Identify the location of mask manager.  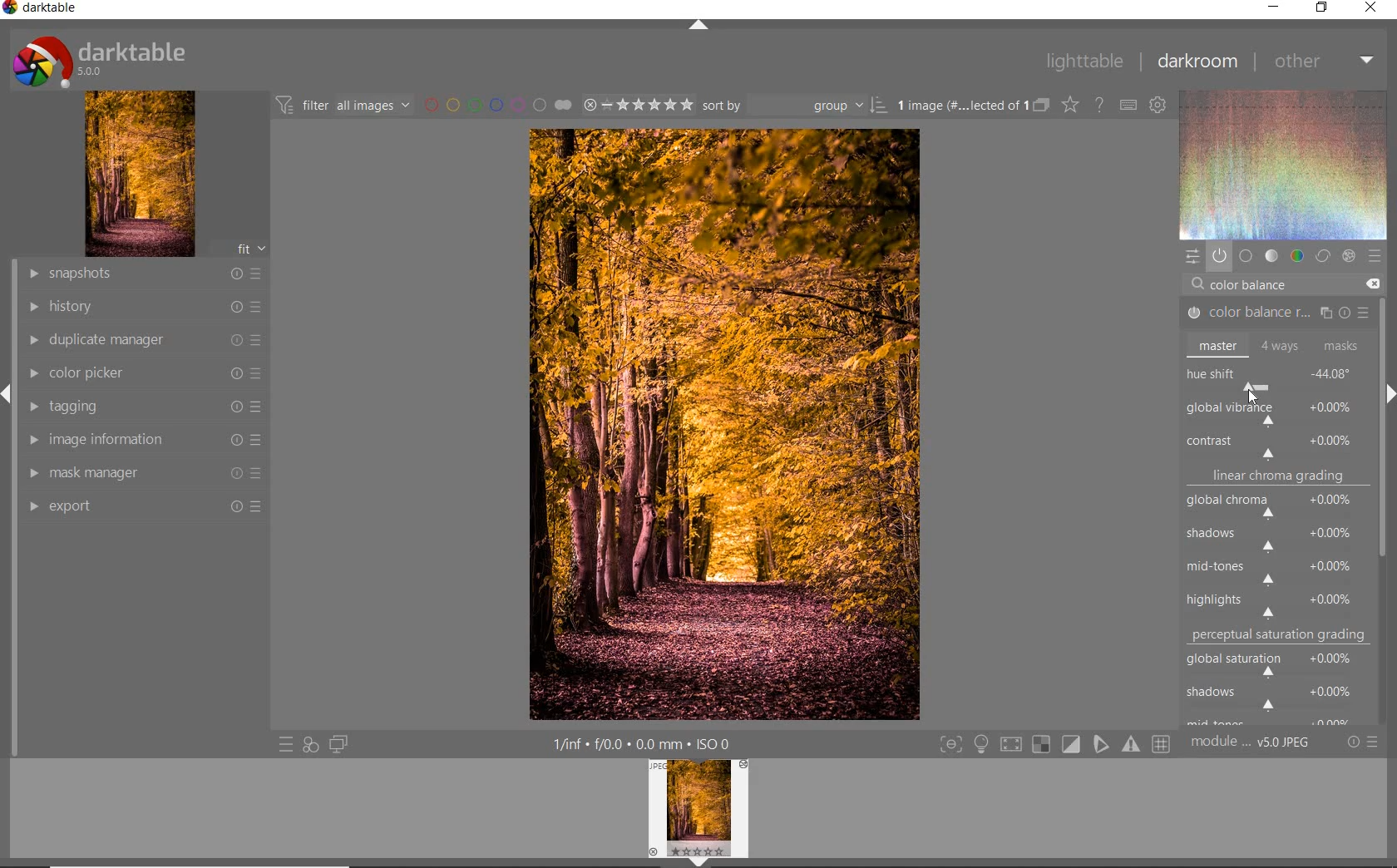
(146, 473).